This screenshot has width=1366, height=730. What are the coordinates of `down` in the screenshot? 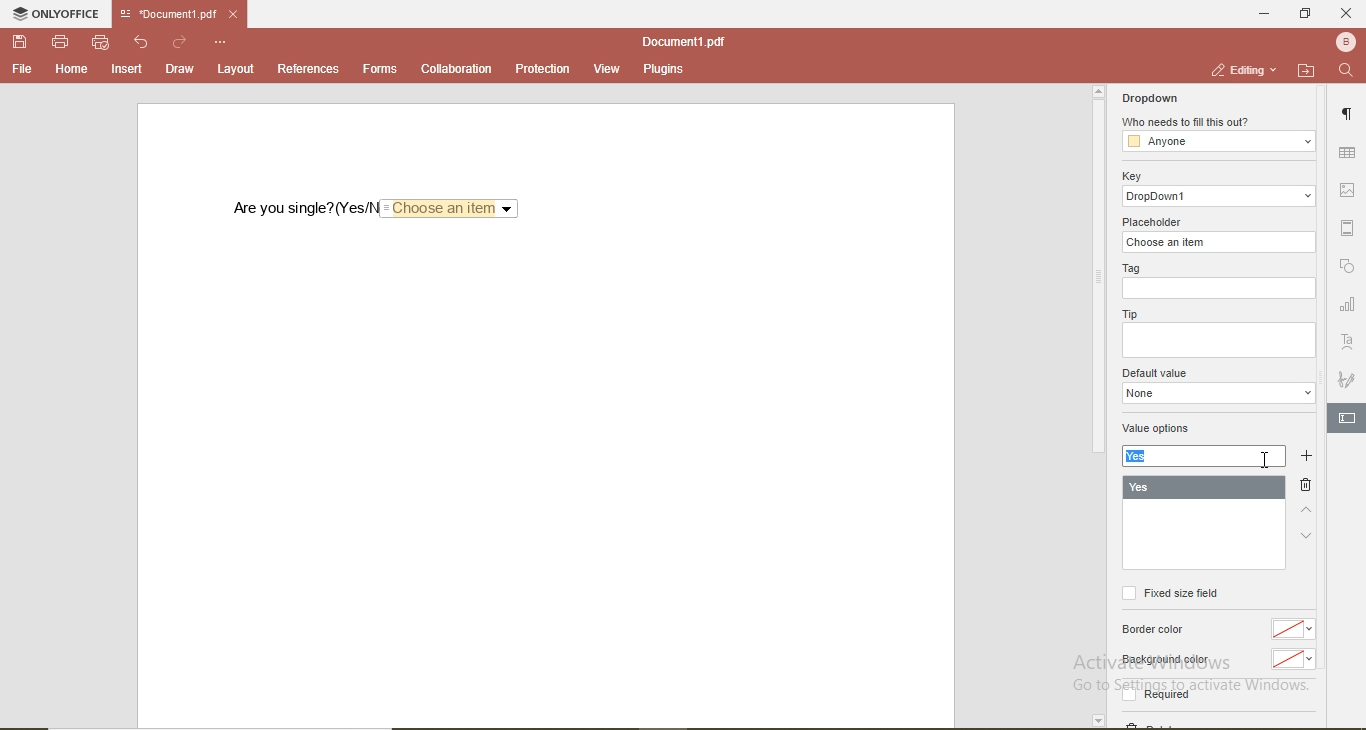 It's located at (1304, 541).